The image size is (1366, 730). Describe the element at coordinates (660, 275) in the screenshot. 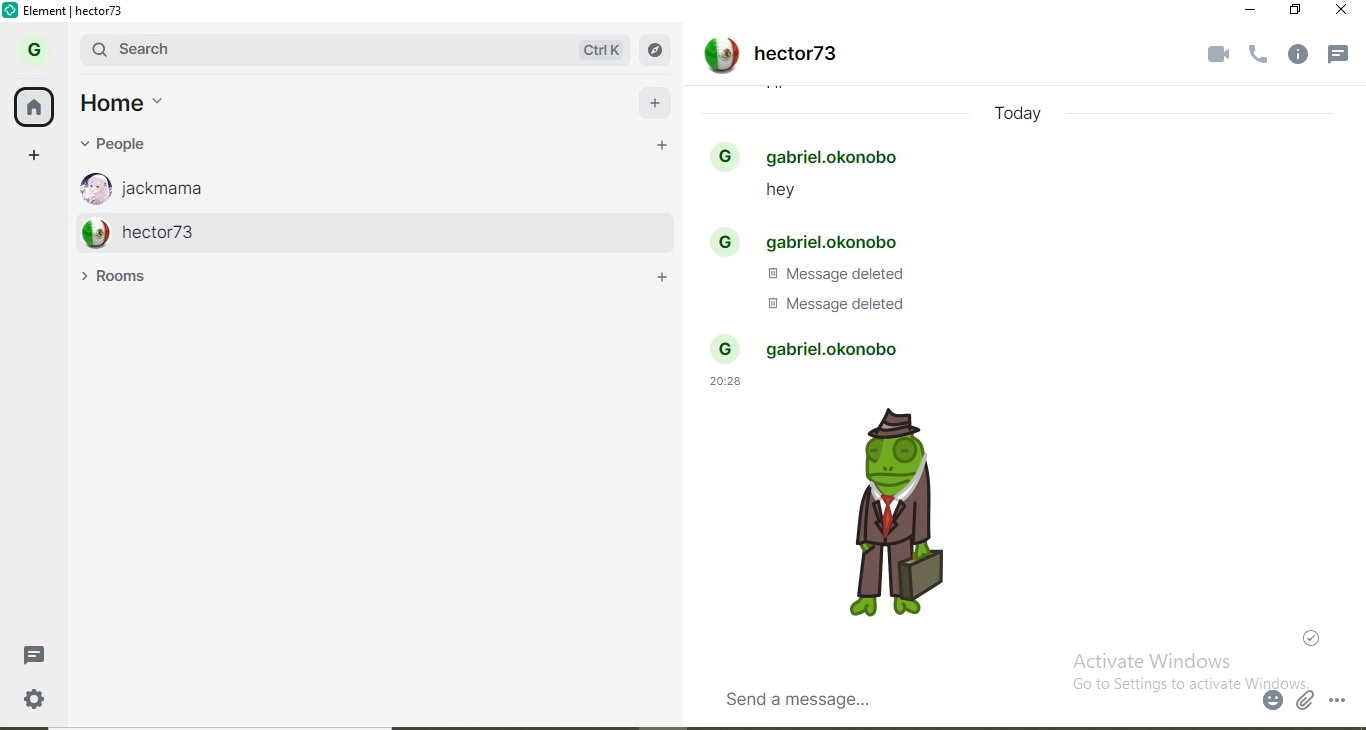

I see `ADD ROOM` at that location.